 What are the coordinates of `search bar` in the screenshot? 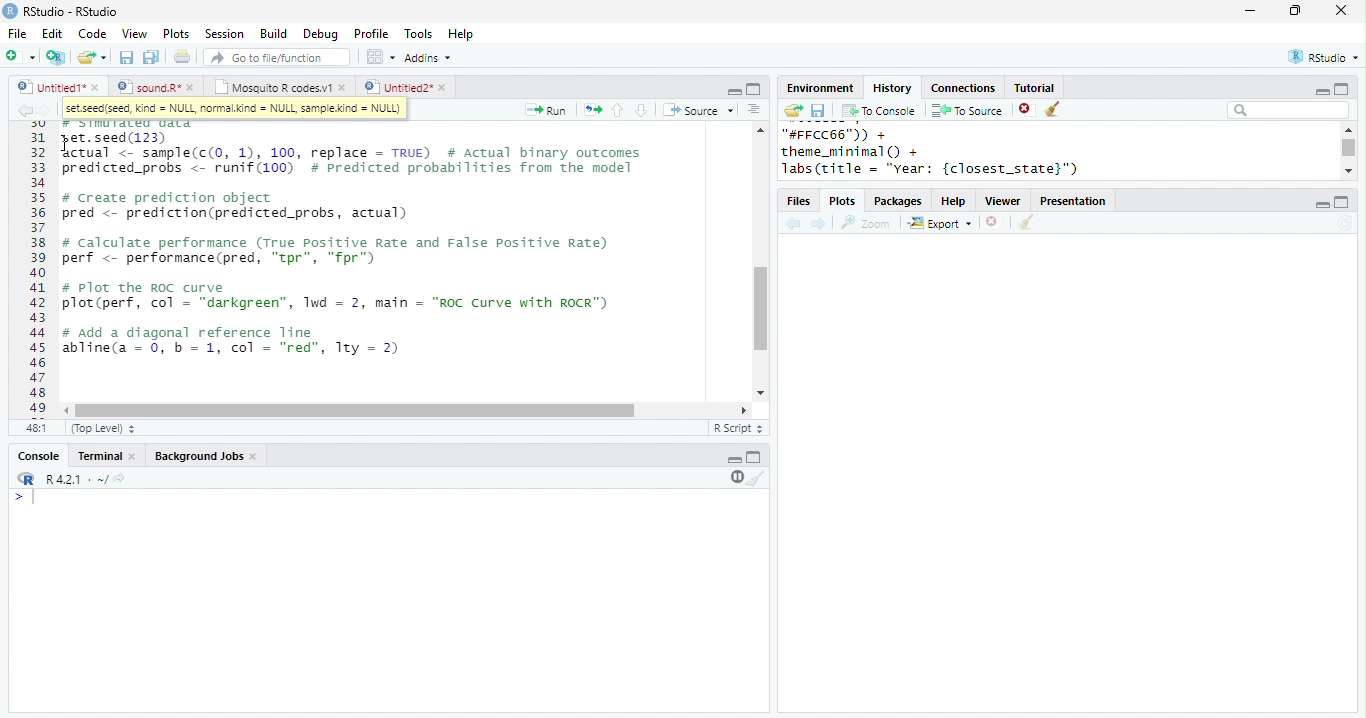 It's located at (1288, 109).